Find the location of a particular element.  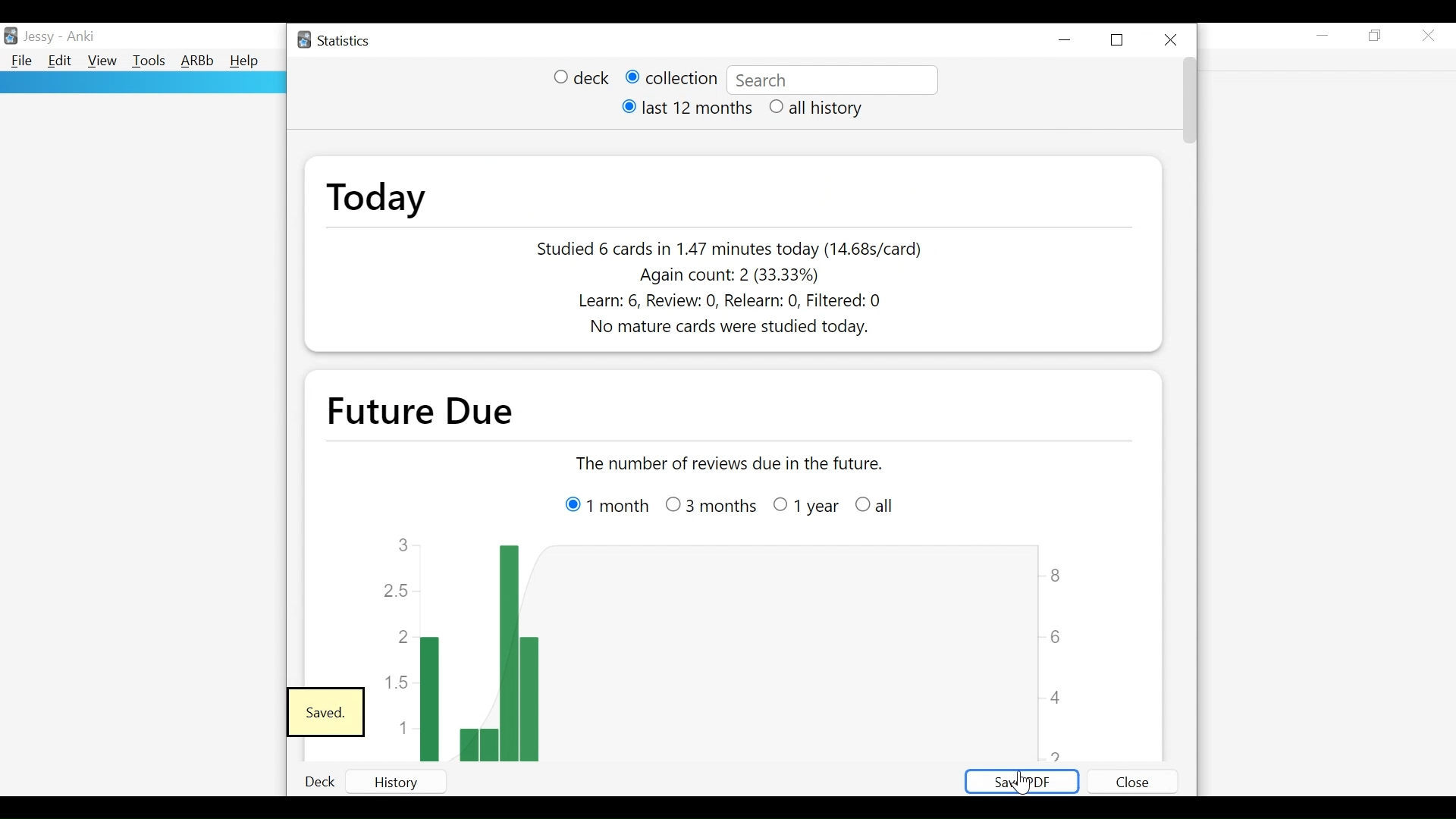

deck is located at coordinates (315, 782).